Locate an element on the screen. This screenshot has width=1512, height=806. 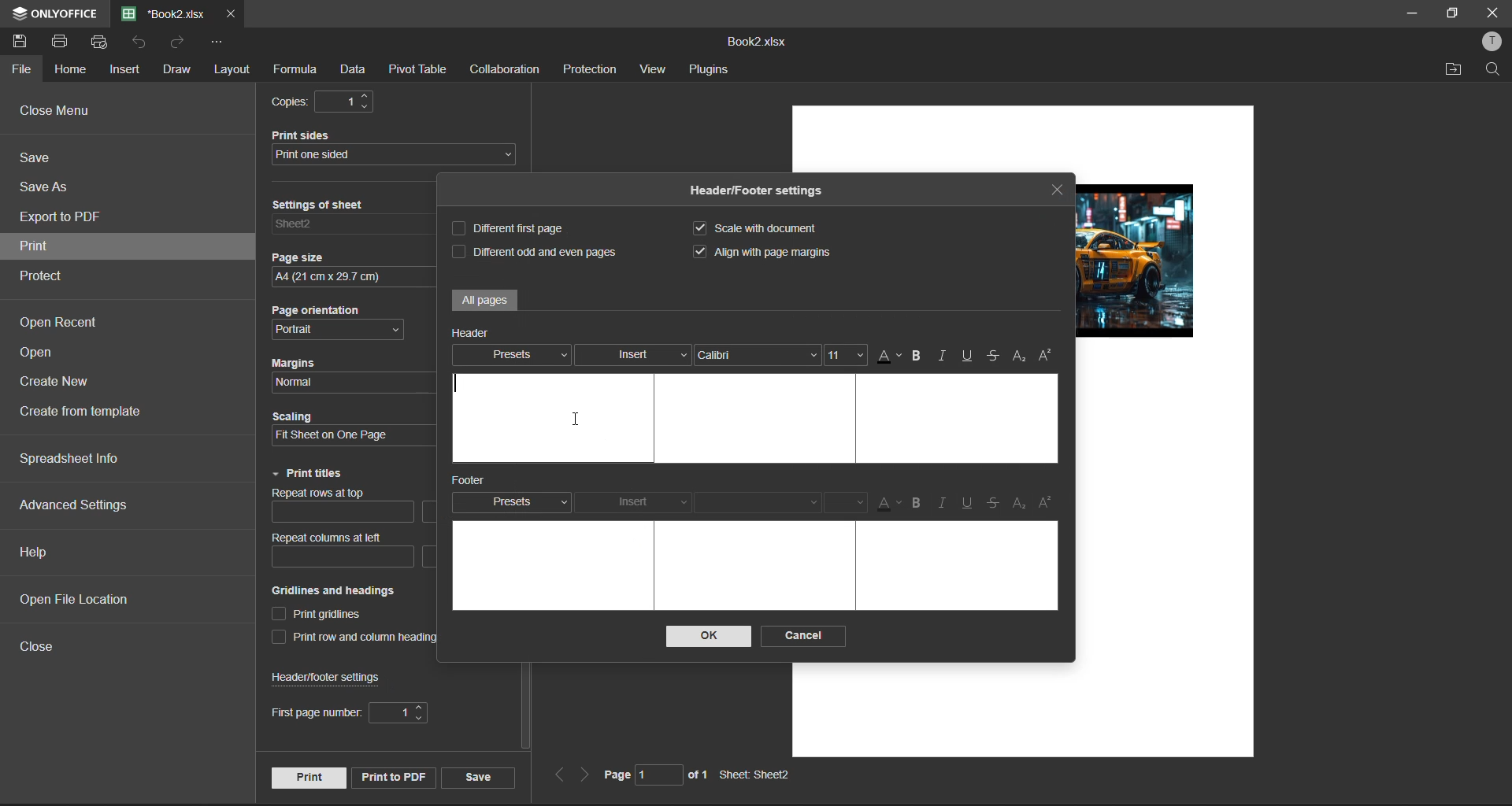
footer is located at coordinates (476, 481).